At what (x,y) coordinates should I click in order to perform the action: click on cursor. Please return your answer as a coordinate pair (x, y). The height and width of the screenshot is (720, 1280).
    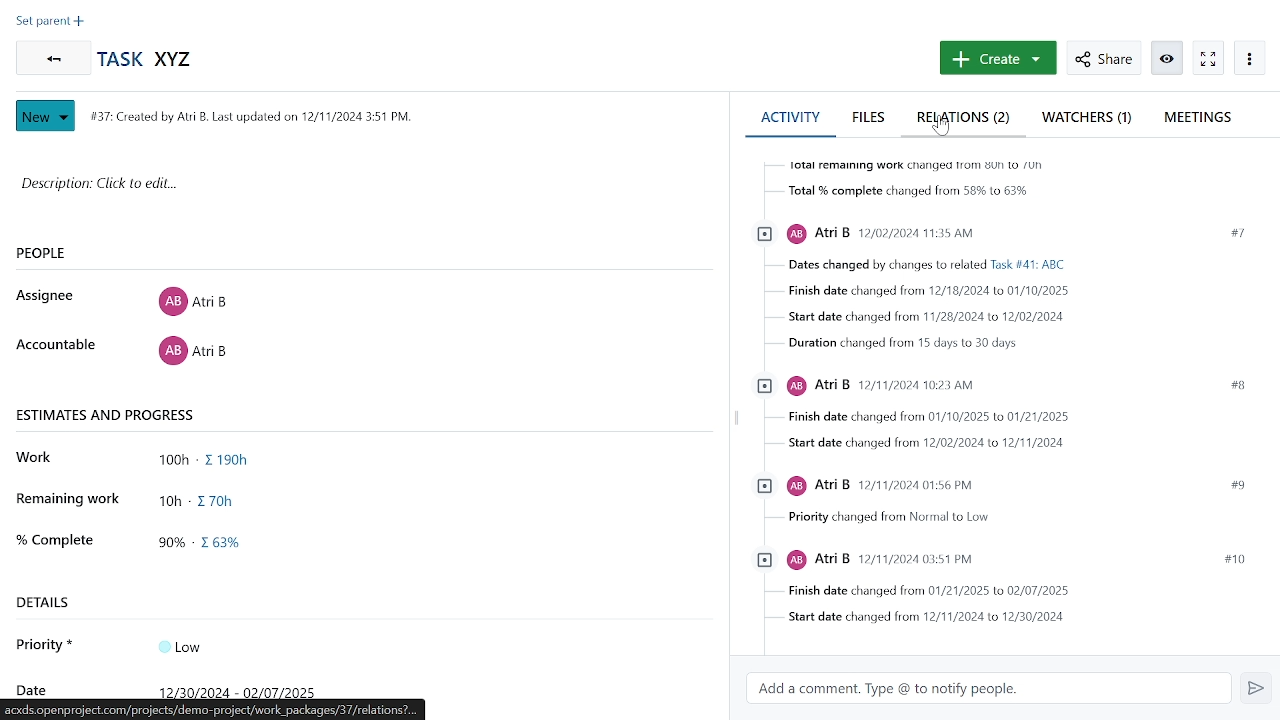
    Looking at the image, I should click on (940, 132).